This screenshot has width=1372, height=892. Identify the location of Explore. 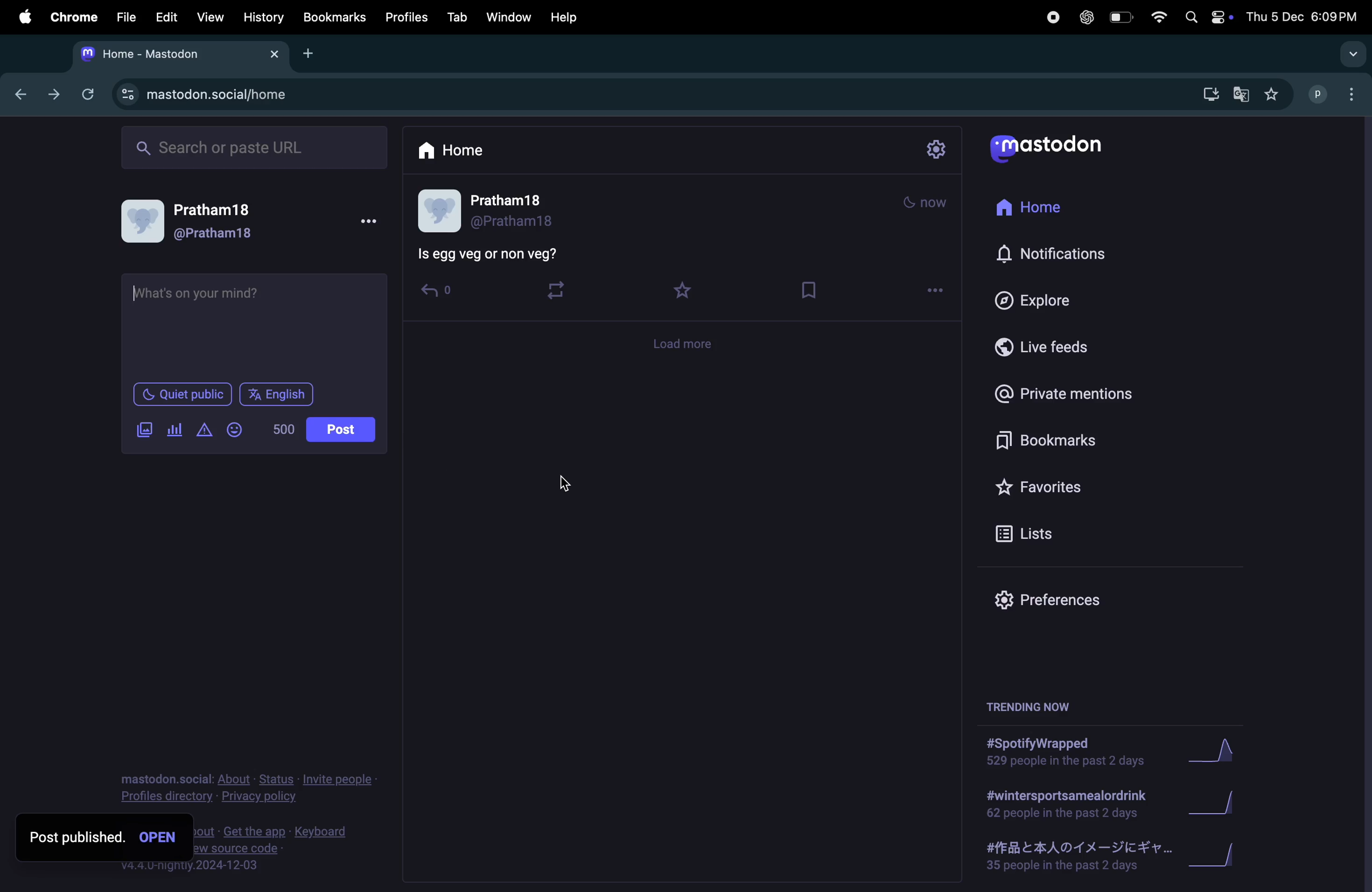
(1046, 301).